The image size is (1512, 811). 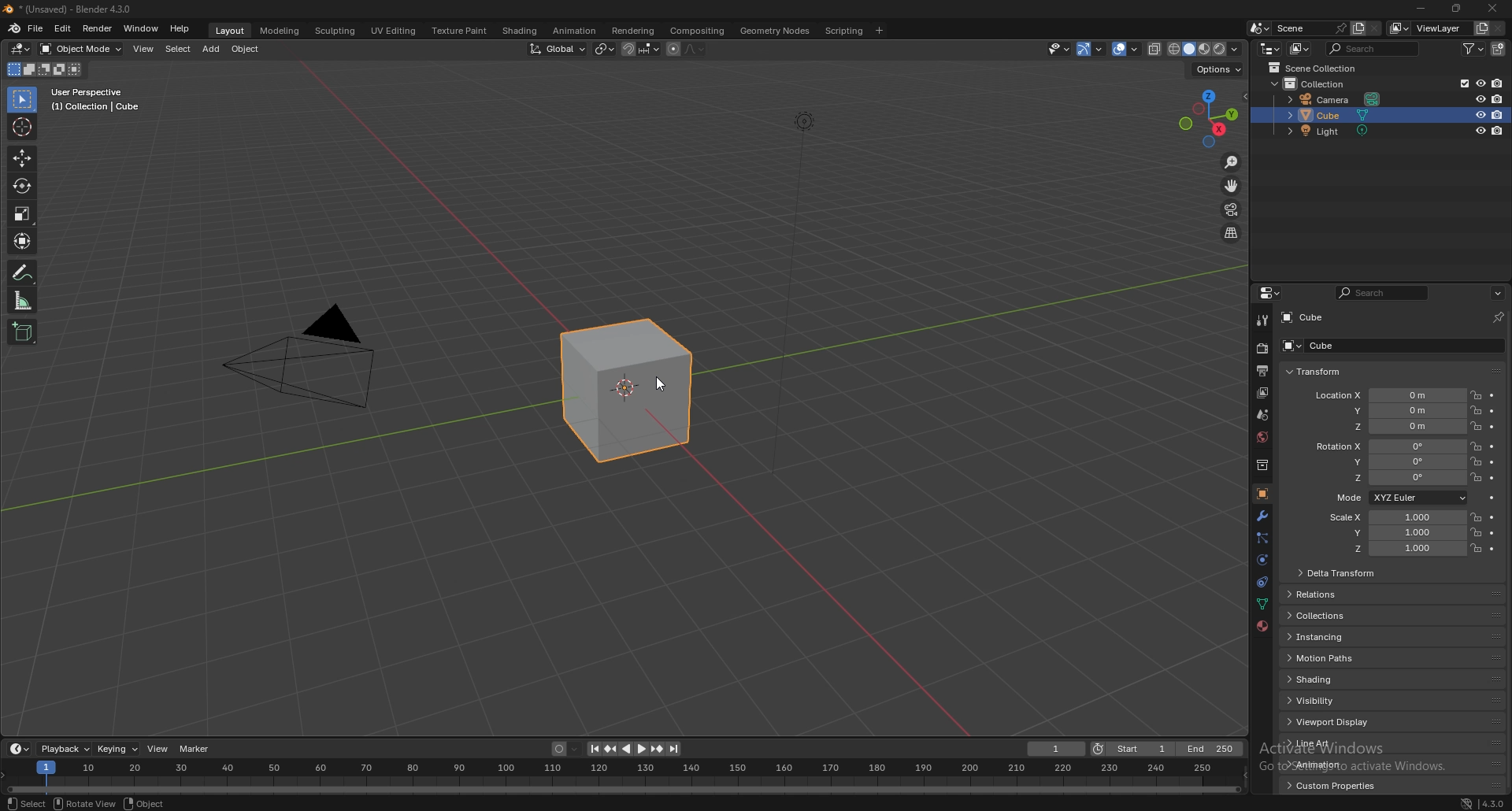 What do you see at coordinates (1388, 462) in the screenshot?
I see `rotation y` at bounding box center [1388, 462].